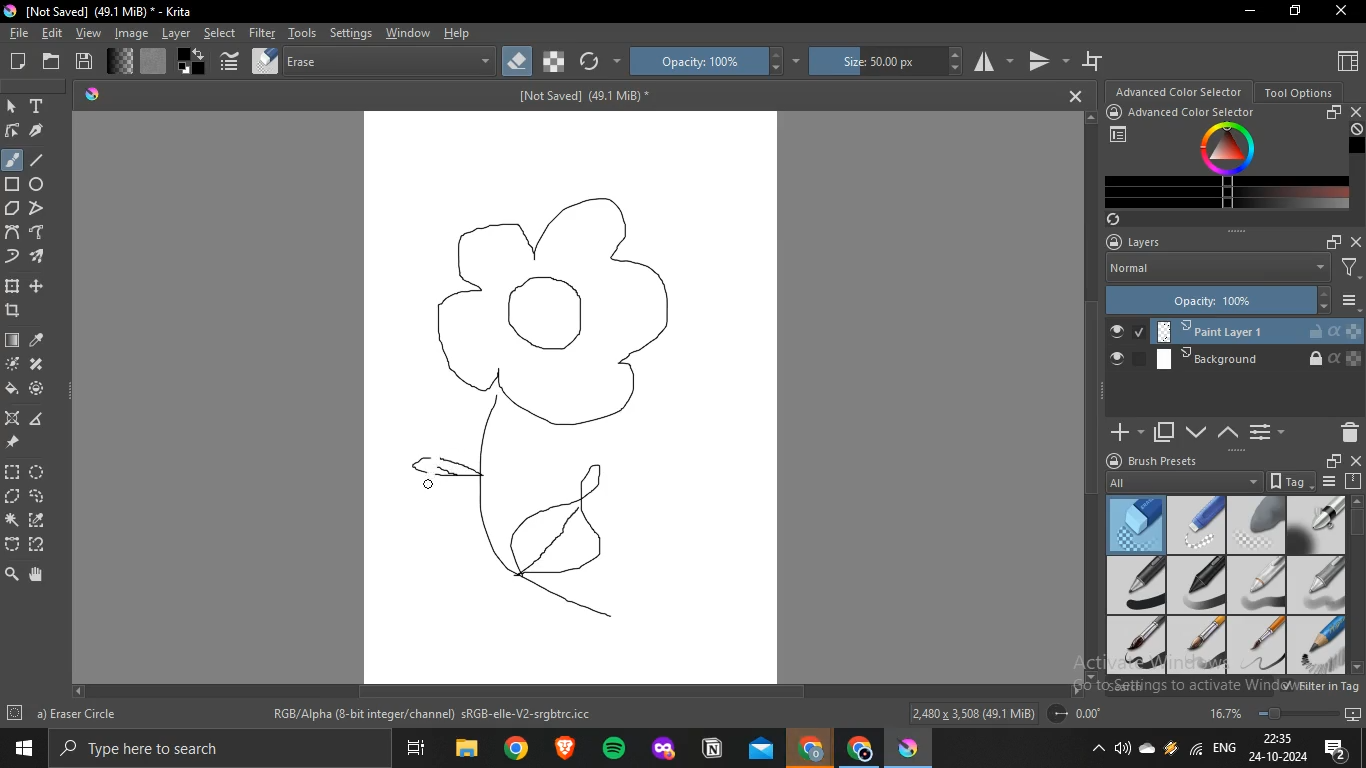 The width and height of the screenshot is (1366, 768). What do you see at coordinates (38, 389) in the screenshot?
I see `fill and color` at bounding box center [38, 389].